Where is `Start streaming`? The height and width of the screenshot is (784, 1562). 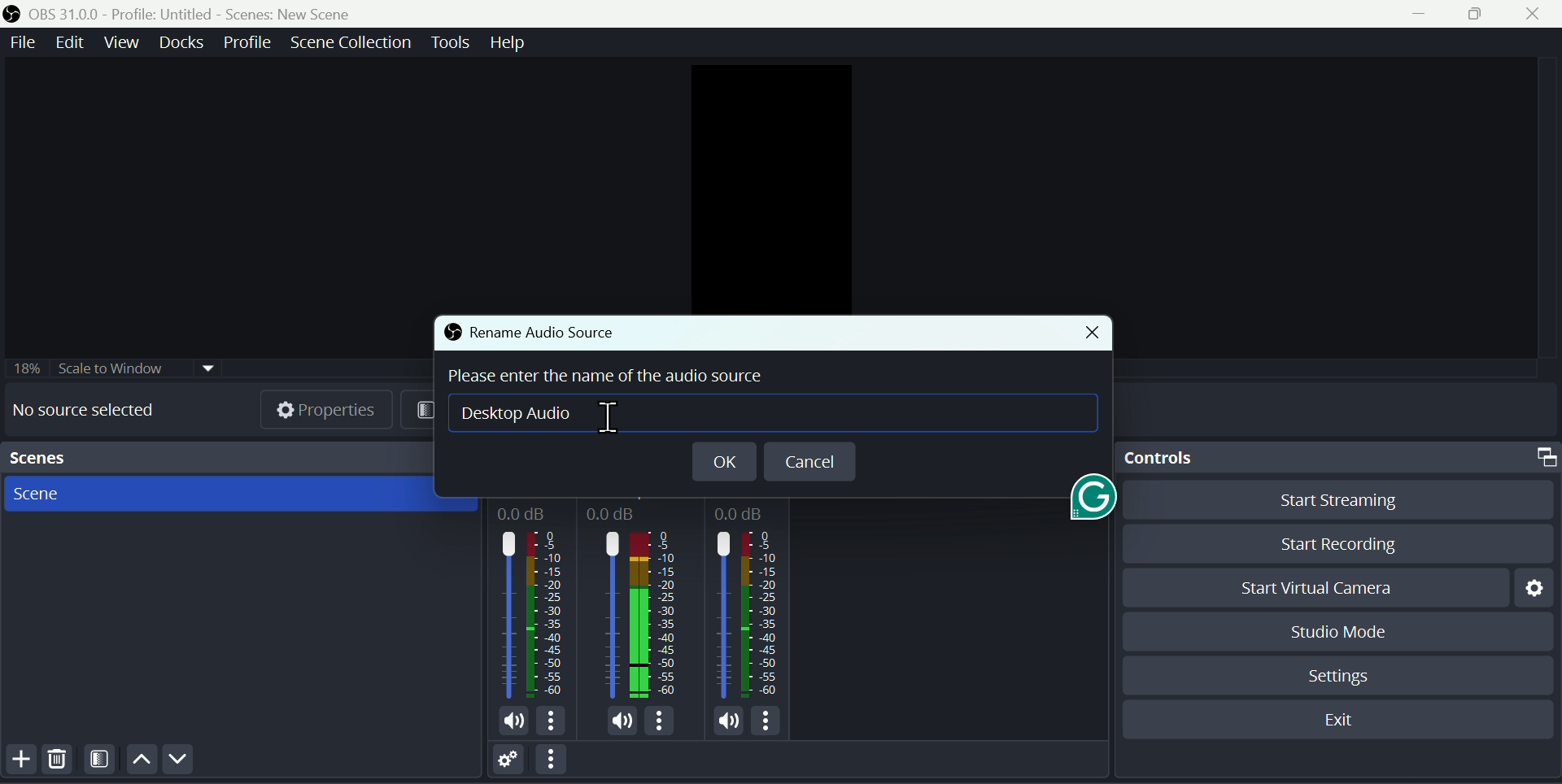 Start streaming is located at coordinates (1327, 504).